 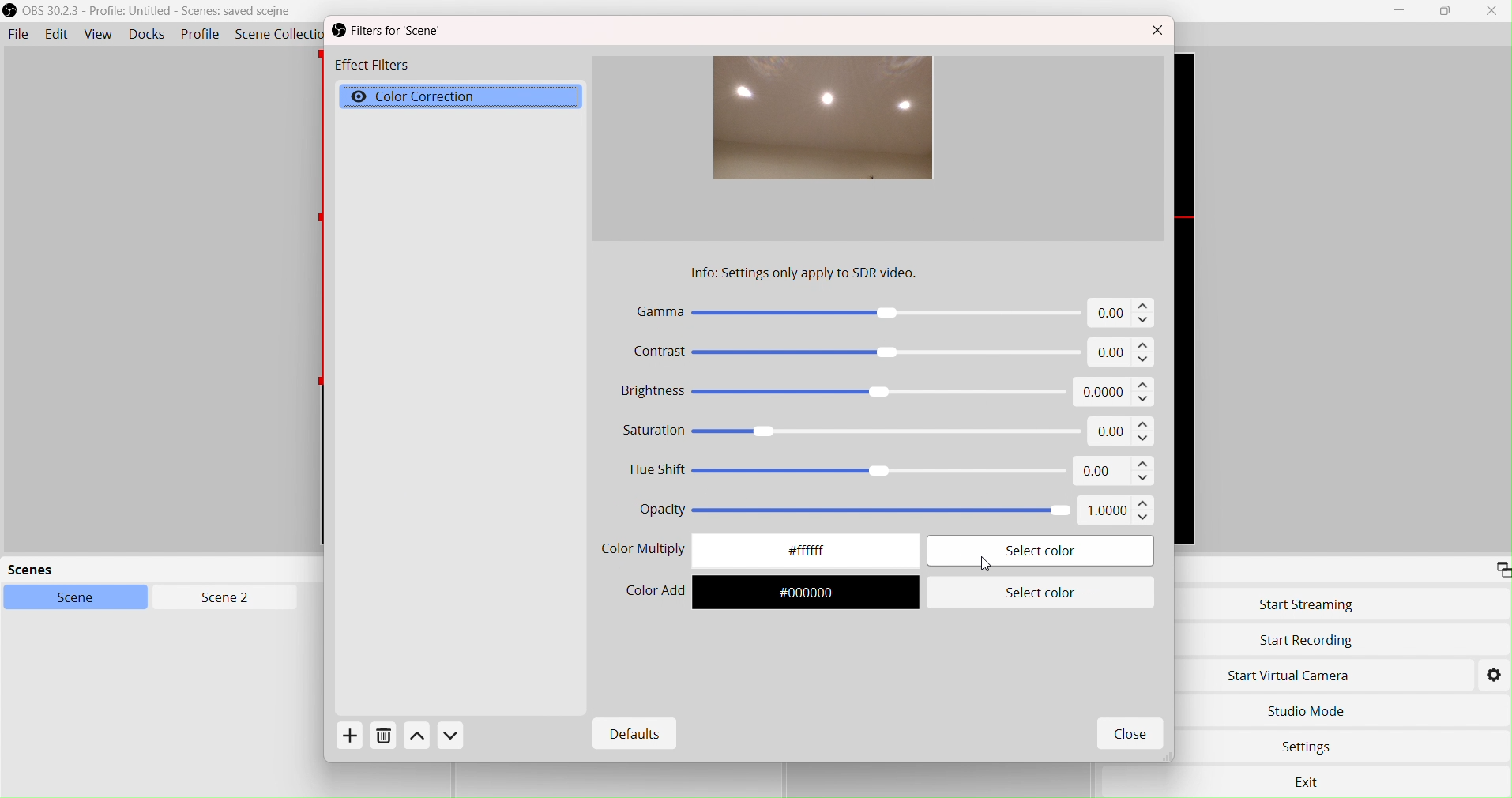 I want to click on Scen2, so click(x=222, y=599).